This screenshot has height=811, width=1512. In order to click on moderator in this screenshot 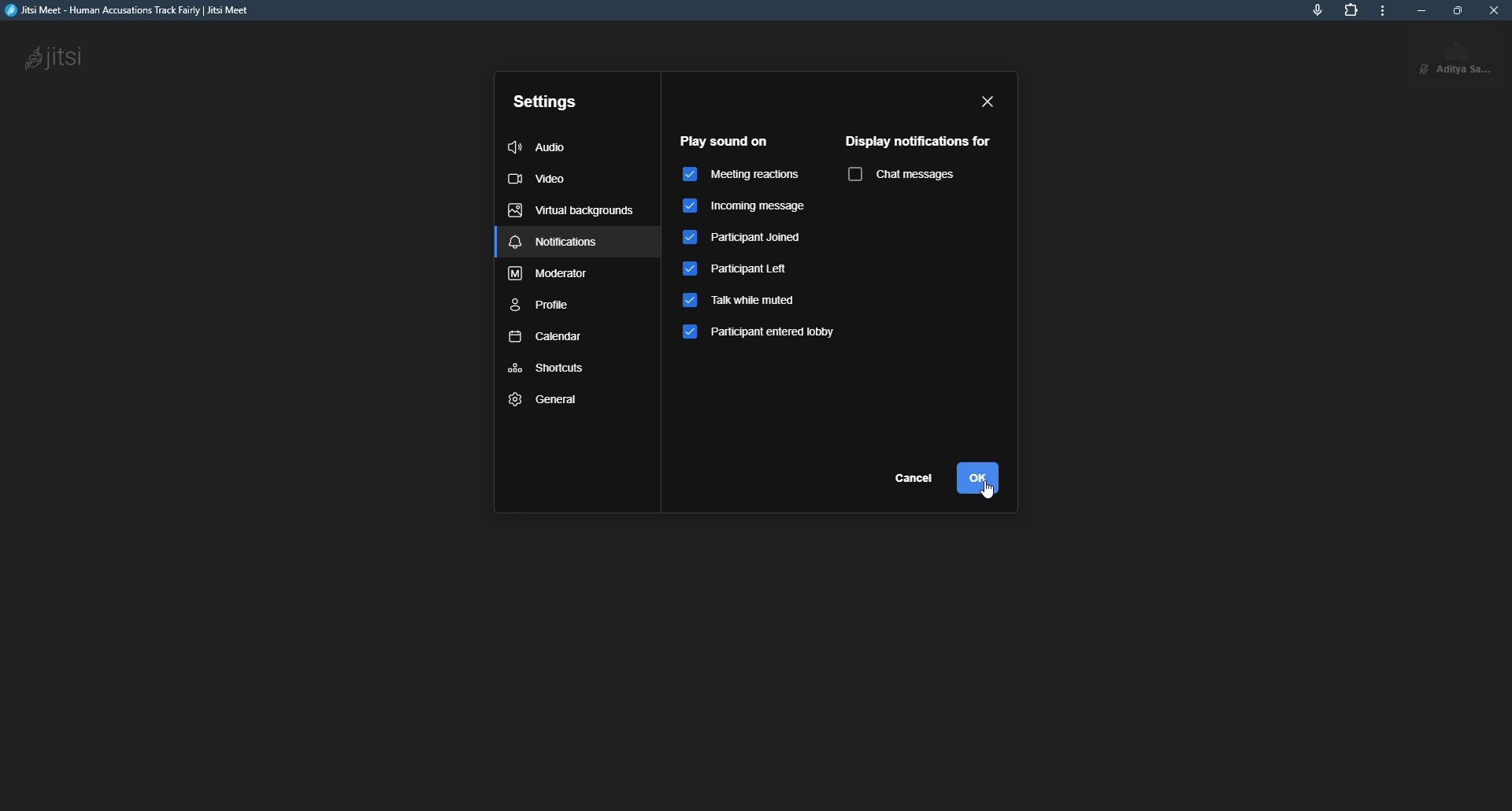, I will do `click(550, 273)`.